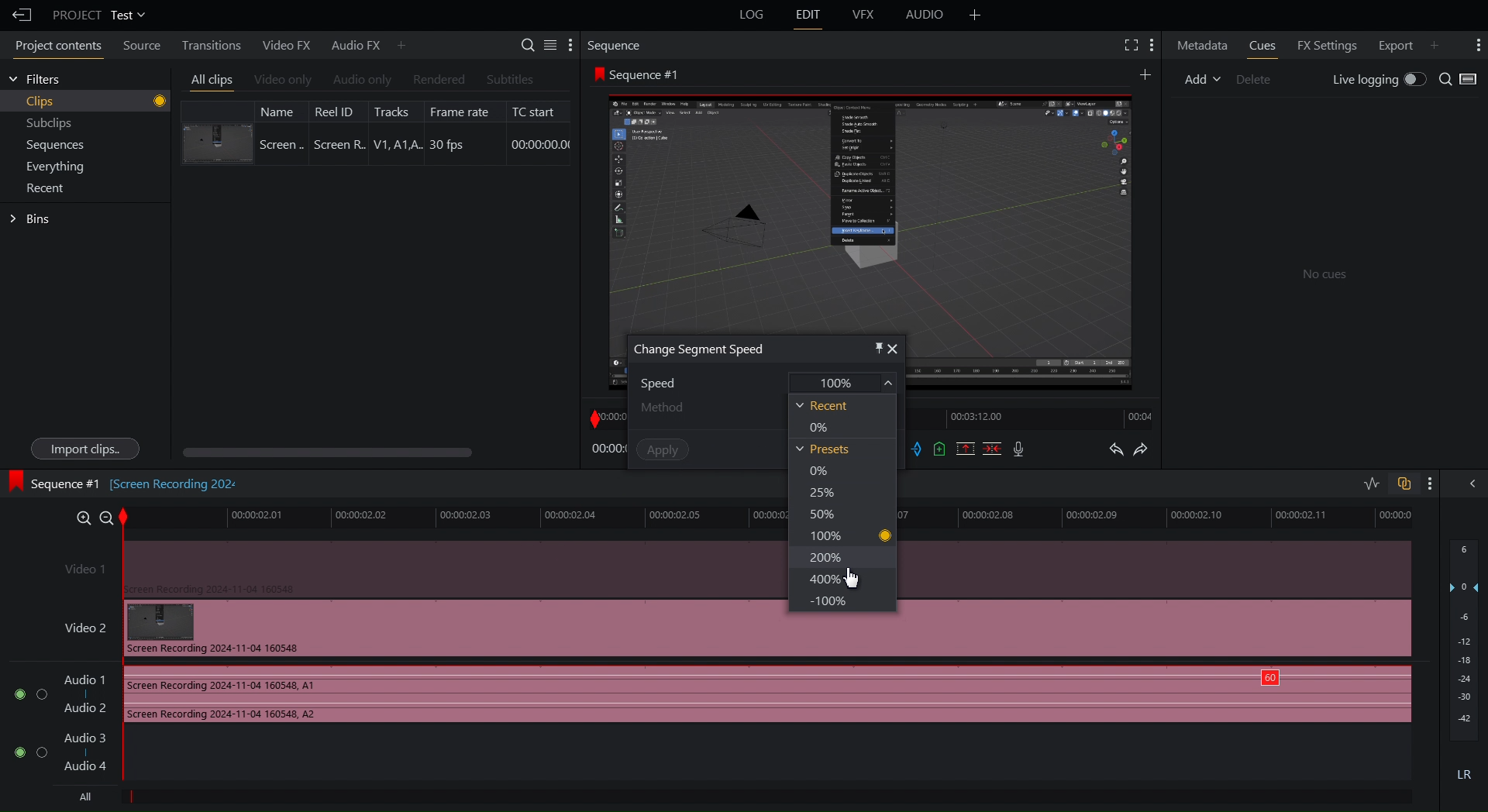 The height and width of the screenshot is (812, 1488). Describe the element at coordinates (88, 515) in the screenshot. I see `Zoom` at that location.